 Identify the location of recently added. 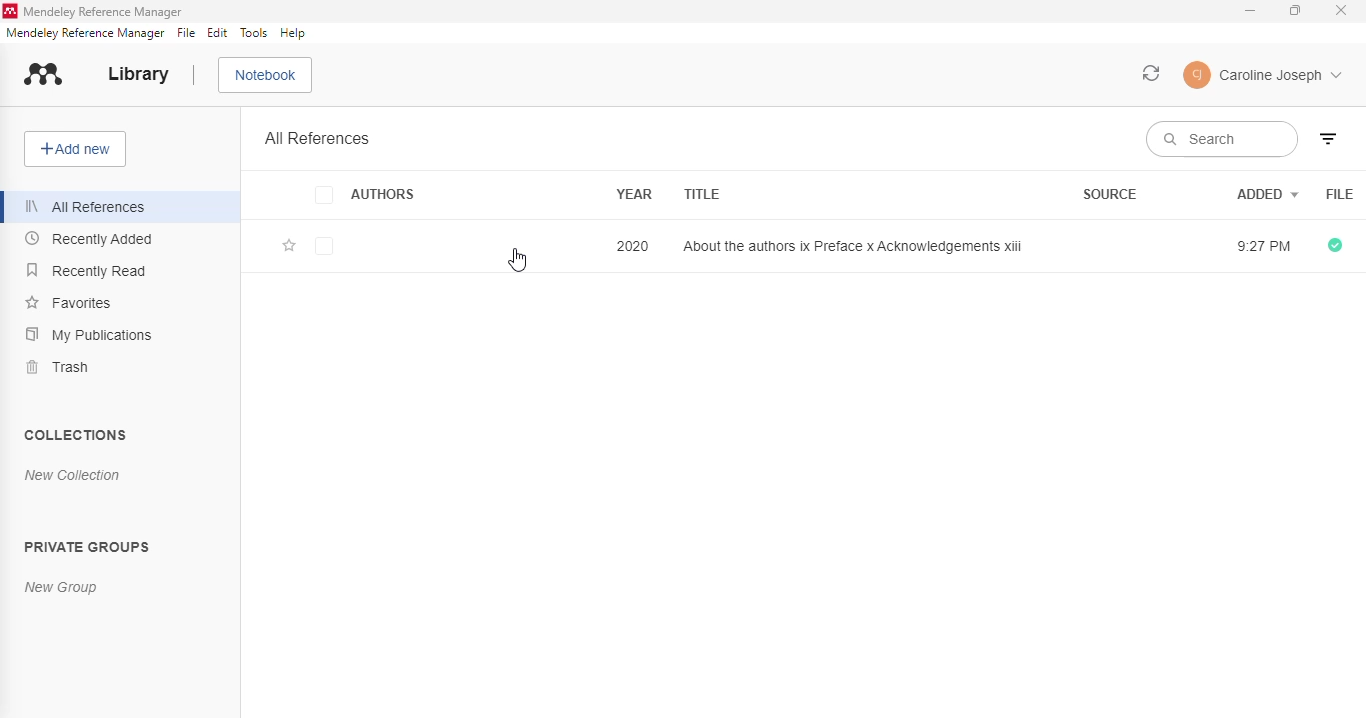
(91, 239).